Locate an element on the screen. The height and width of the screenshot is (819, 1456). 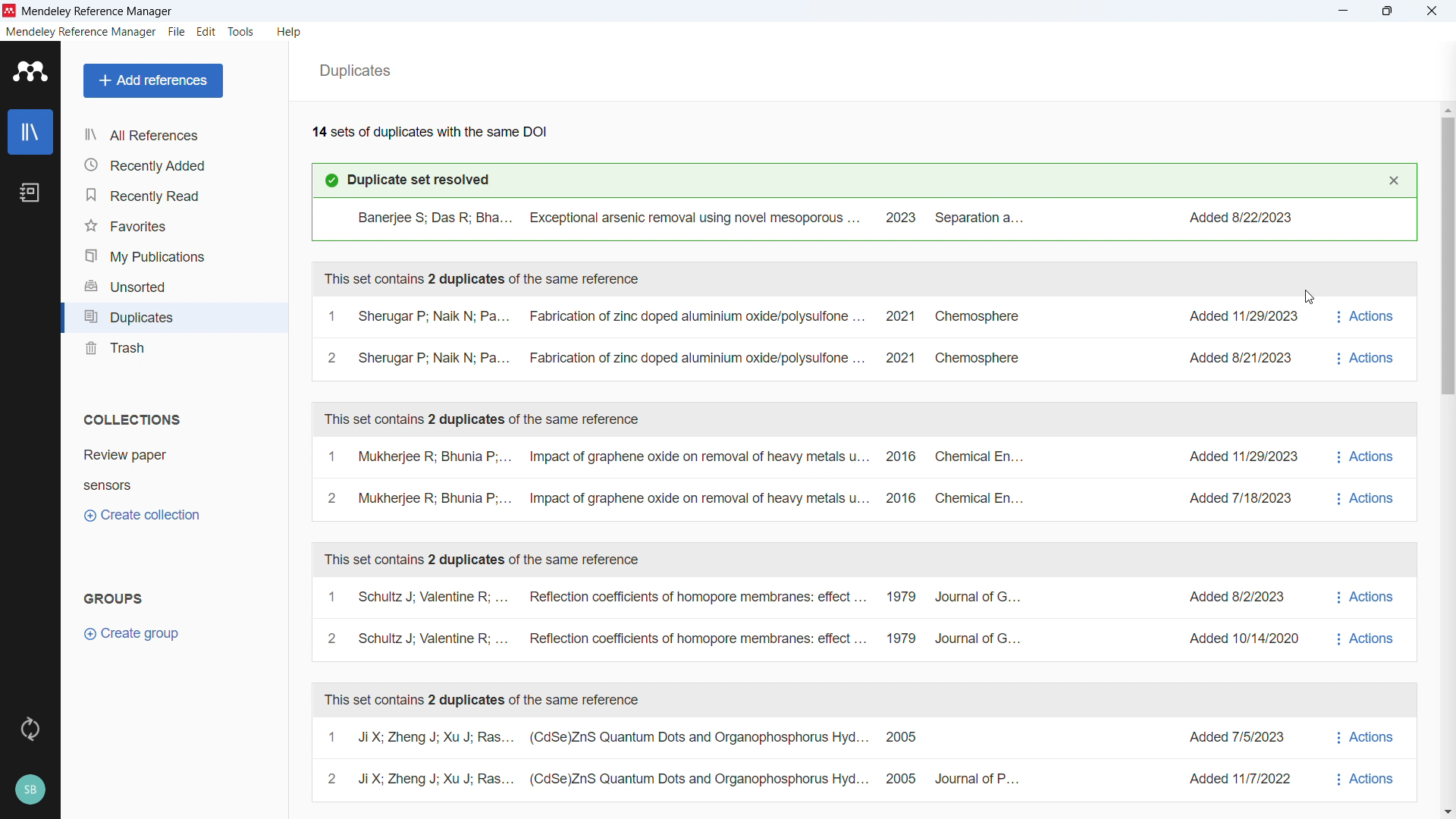
collection  1 is located at coordinates (168, 453).